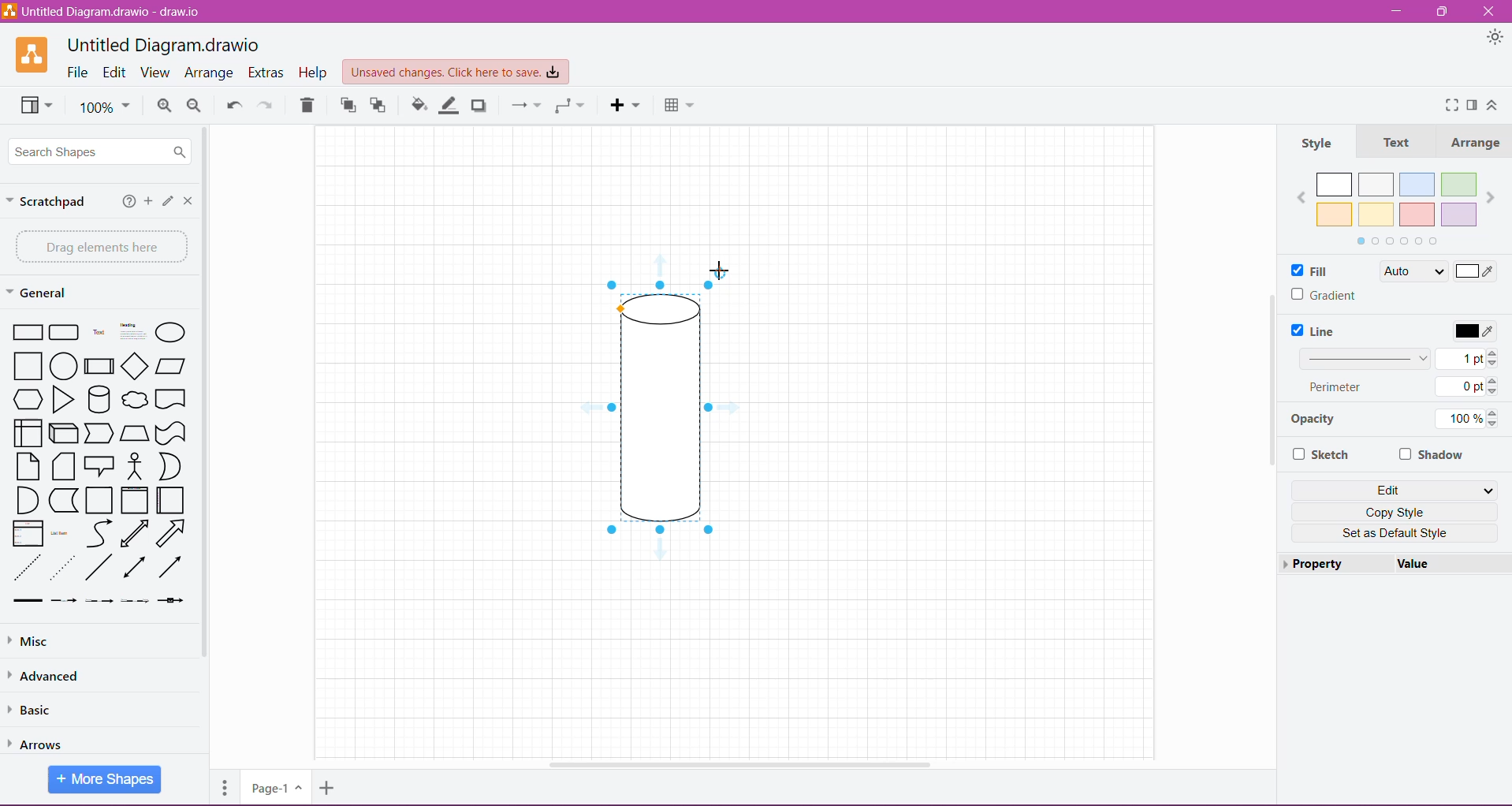 The width and height of the screenshot is (1512, 806). Describe the element at coordinates (88, 641) in the screenshot. I see `Misc` at that location.